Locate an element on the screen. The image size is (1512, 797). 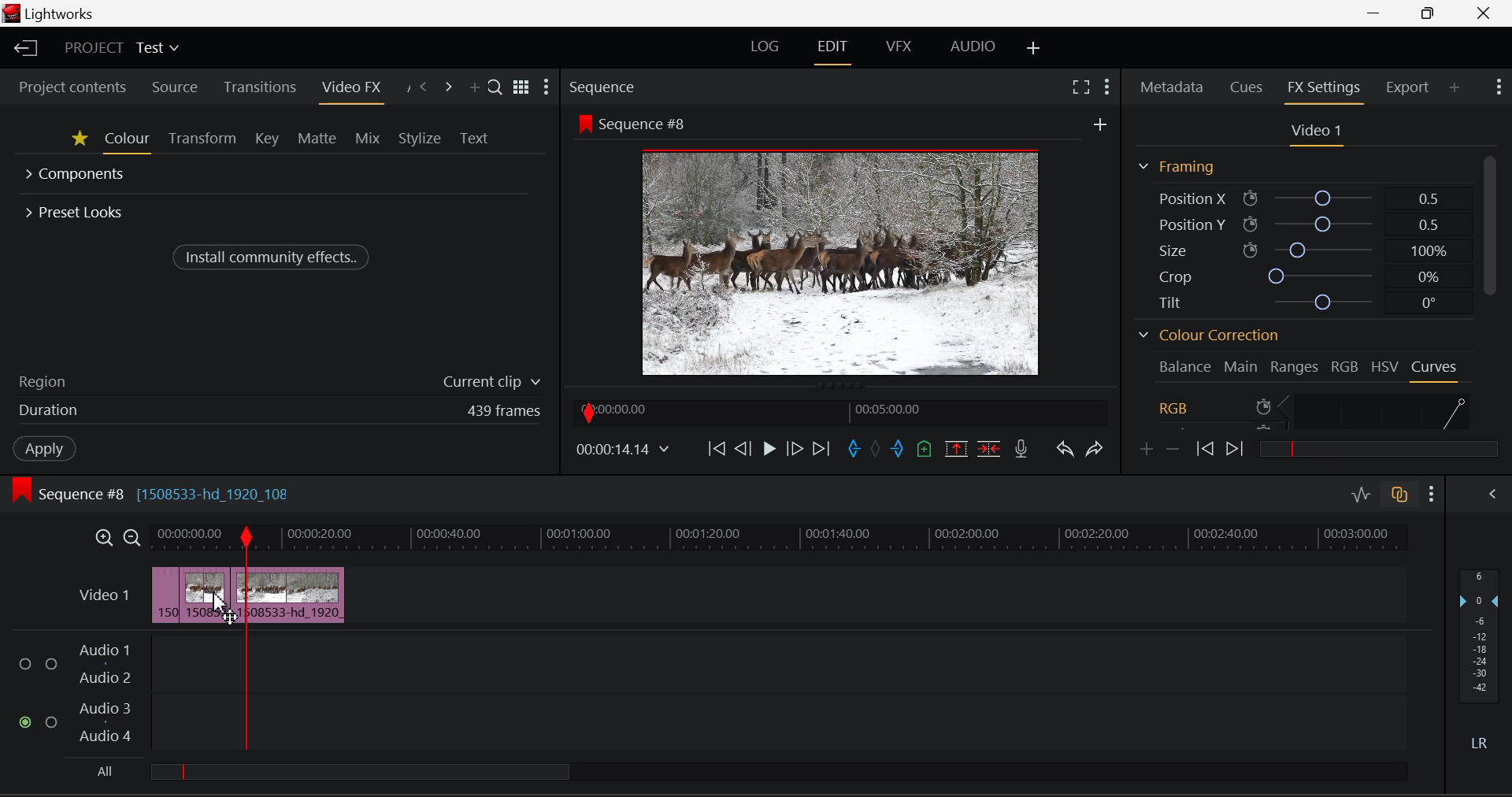
Video Layer is located at coordinates (104, 599).